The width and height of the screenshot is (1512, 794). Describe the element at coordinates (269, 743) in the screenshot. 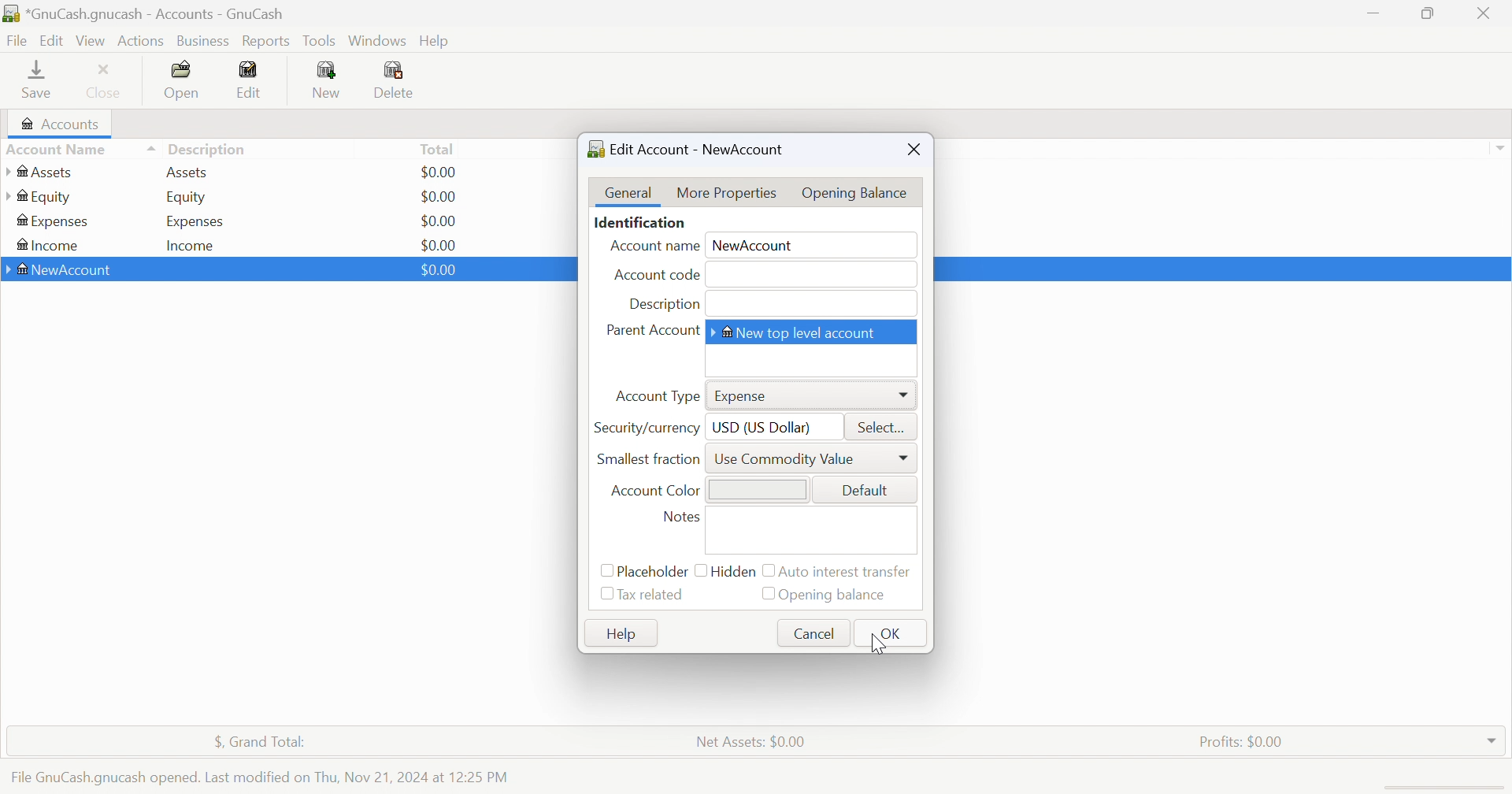

I see `$, Grand Total:` at that location.